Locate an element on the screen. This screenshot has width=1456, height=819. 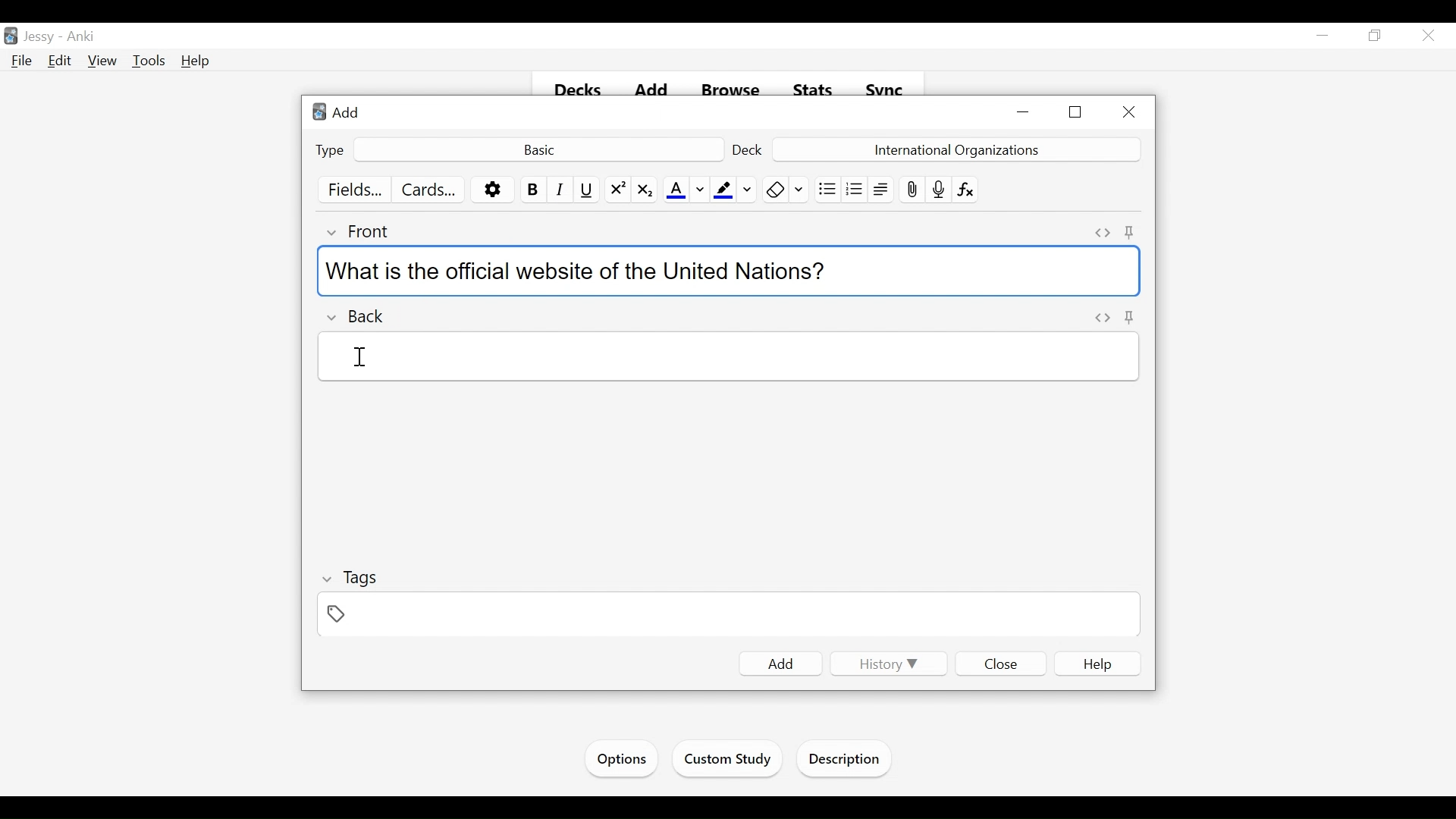
Toggle sticky is located at coordinates (1132, 232).